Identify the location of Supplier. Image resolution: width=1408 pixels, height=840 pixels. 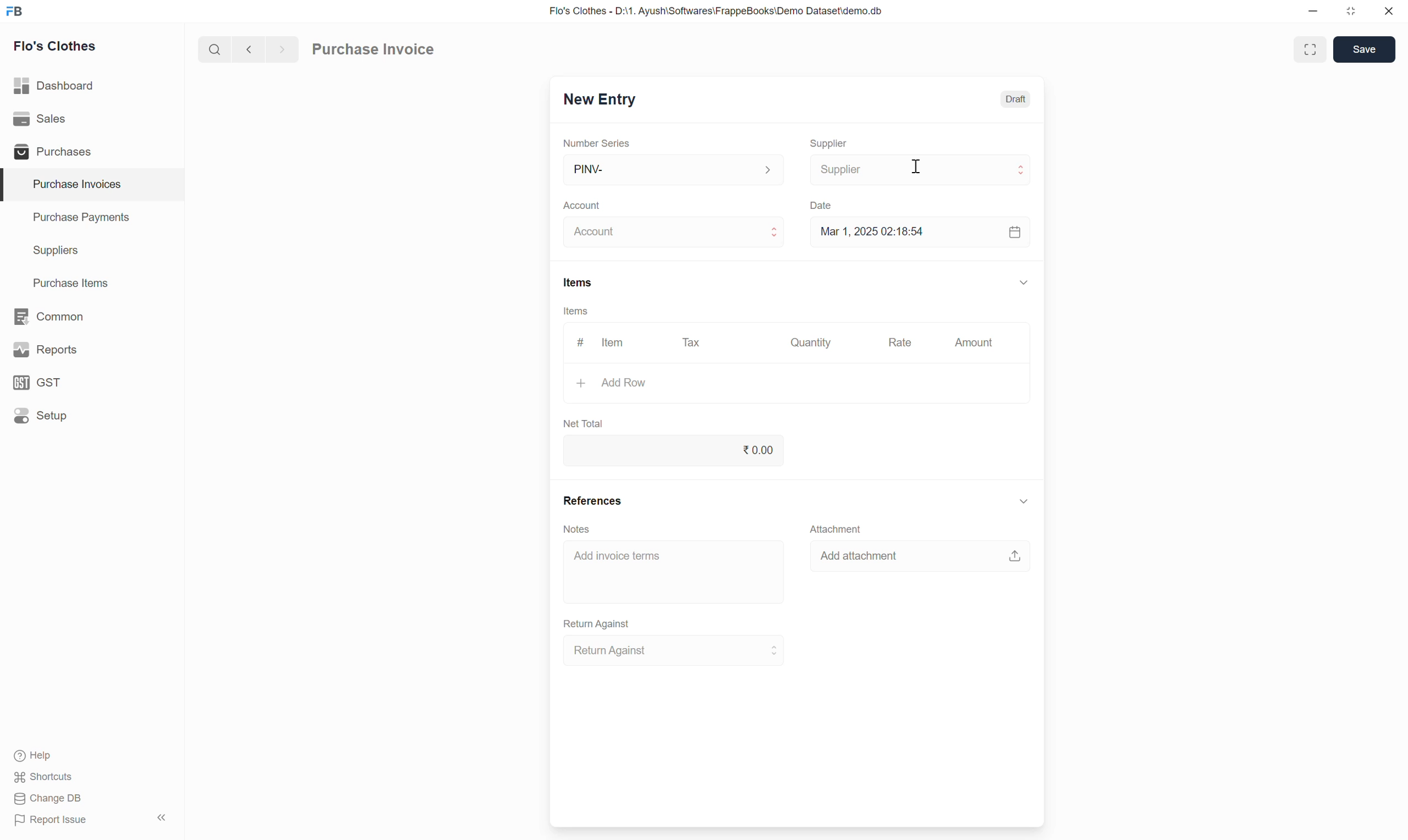
(829, 144).